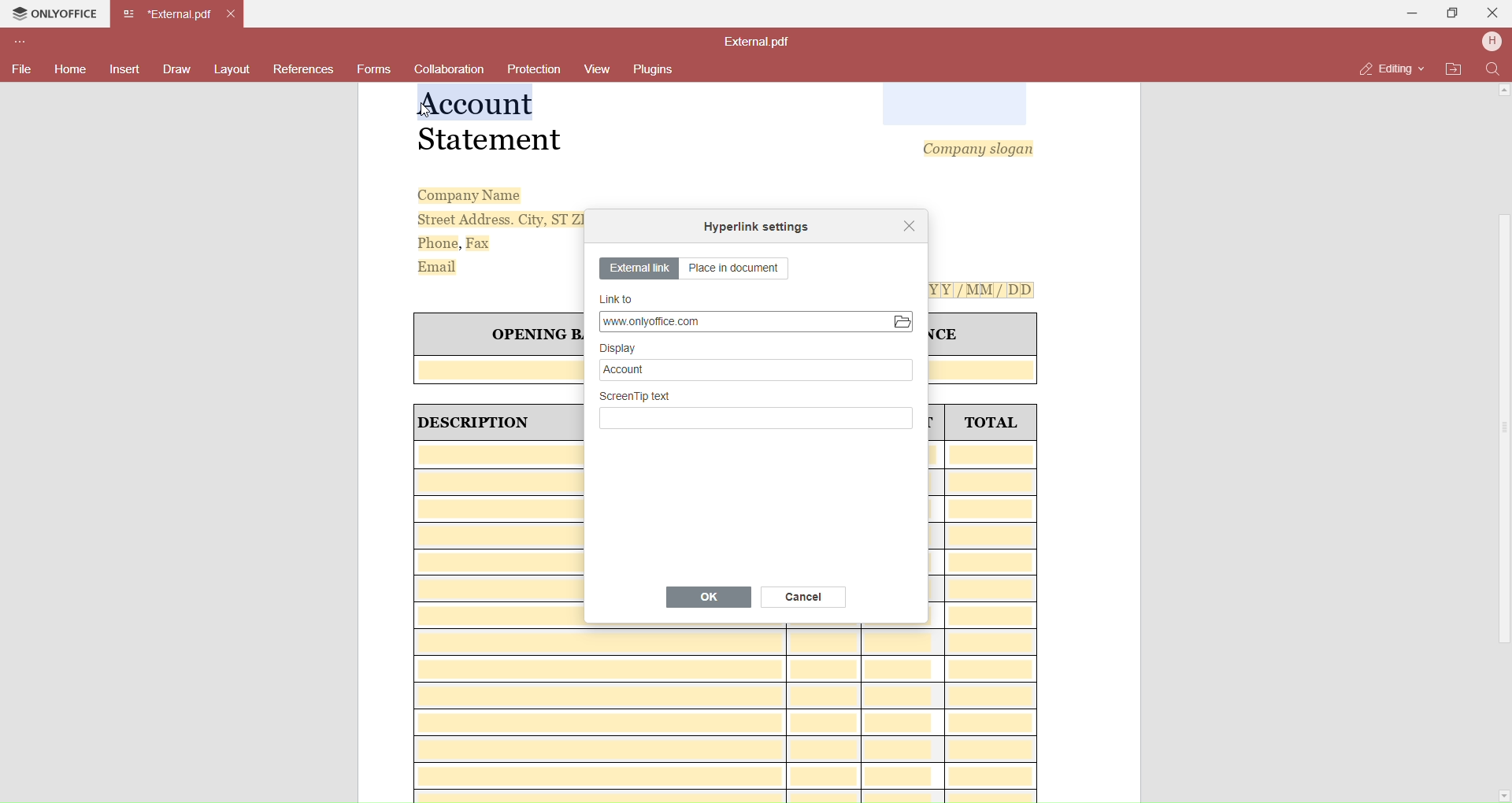 The image size is (1512, 803). I want to click on Forms, so click(374, 68).